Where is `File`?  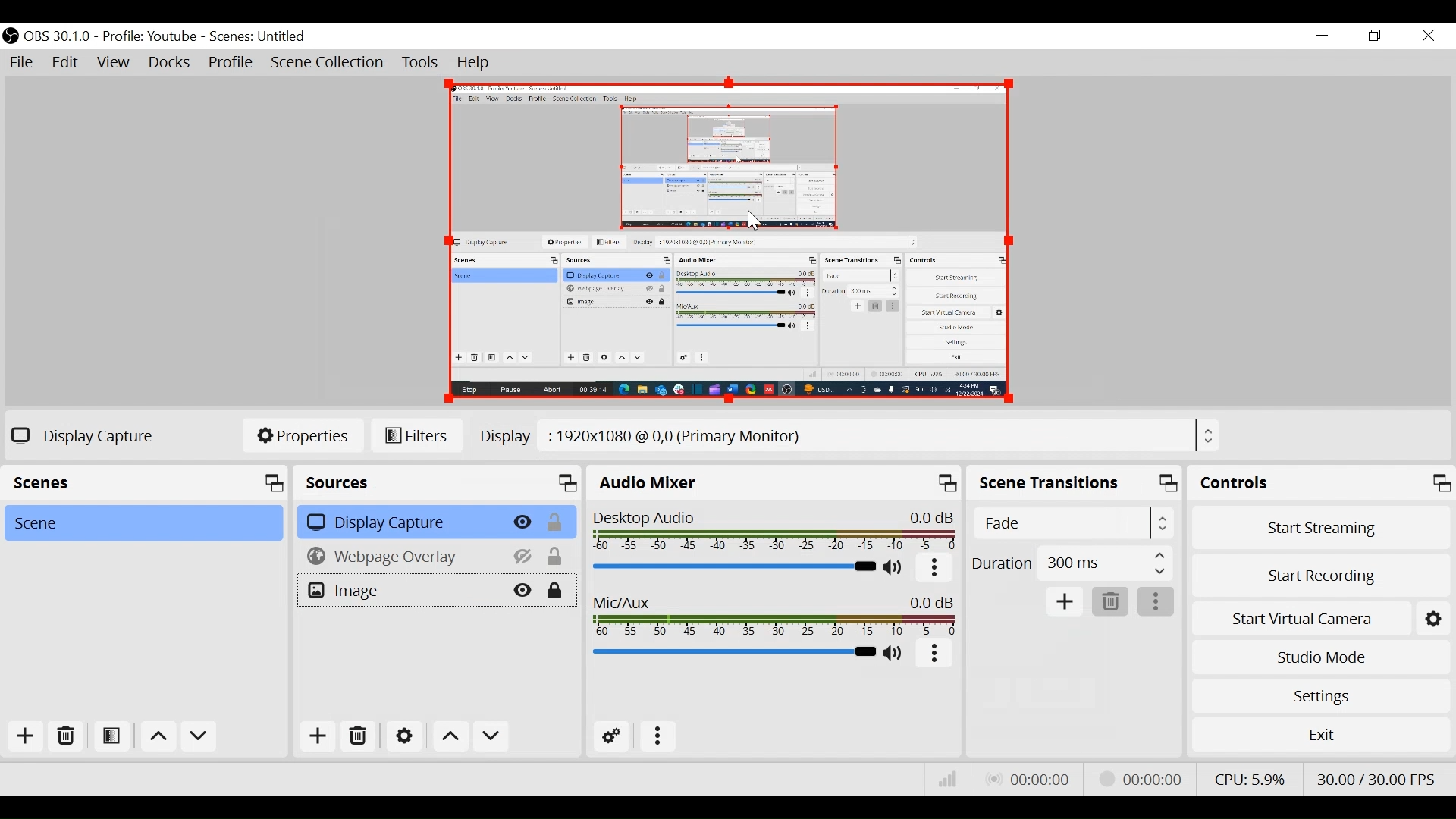 File is located at coordinates (22, 62).